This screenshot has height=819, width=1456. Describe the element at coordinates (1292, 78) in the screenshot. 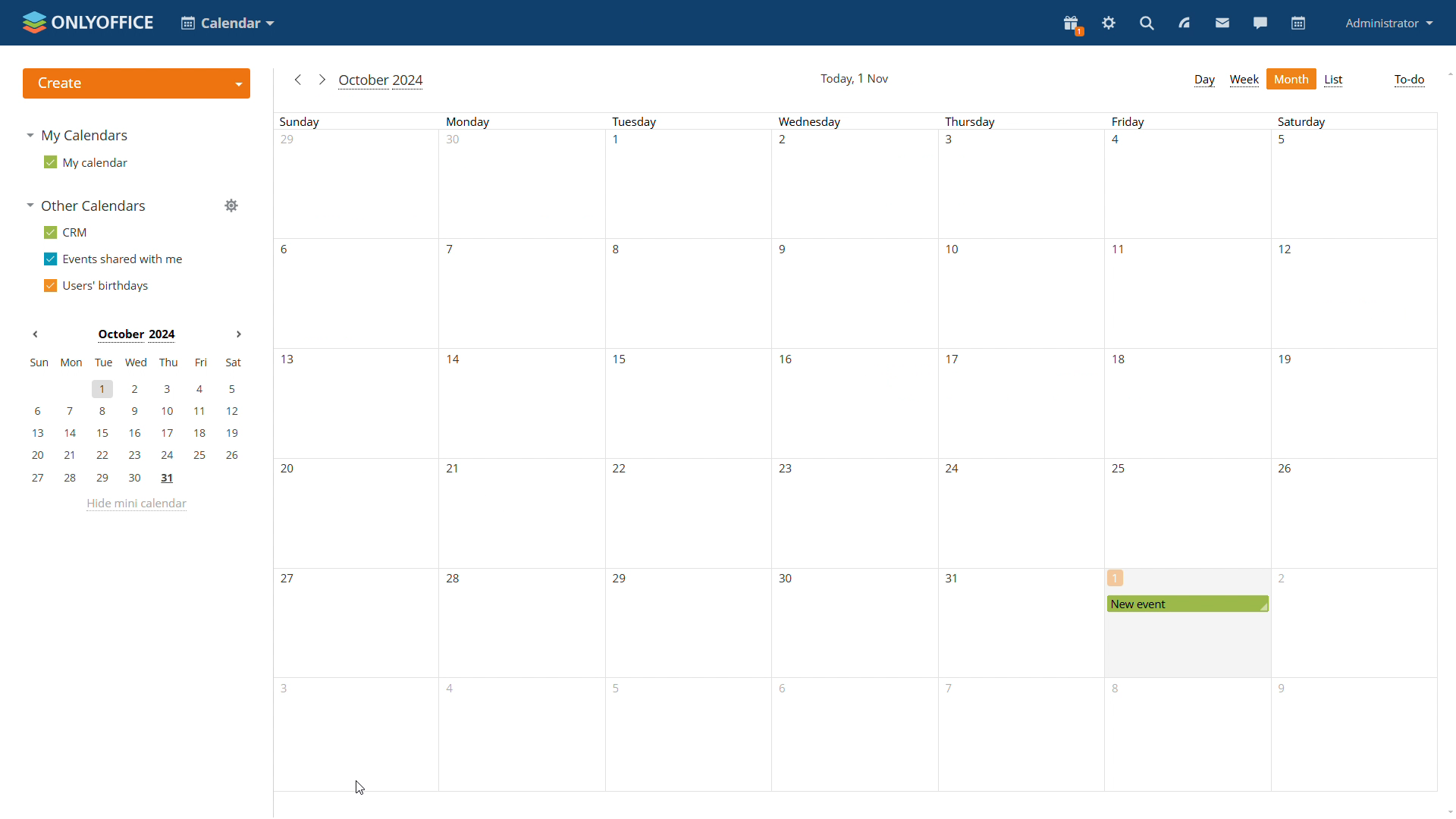

I see `month view` at that location.